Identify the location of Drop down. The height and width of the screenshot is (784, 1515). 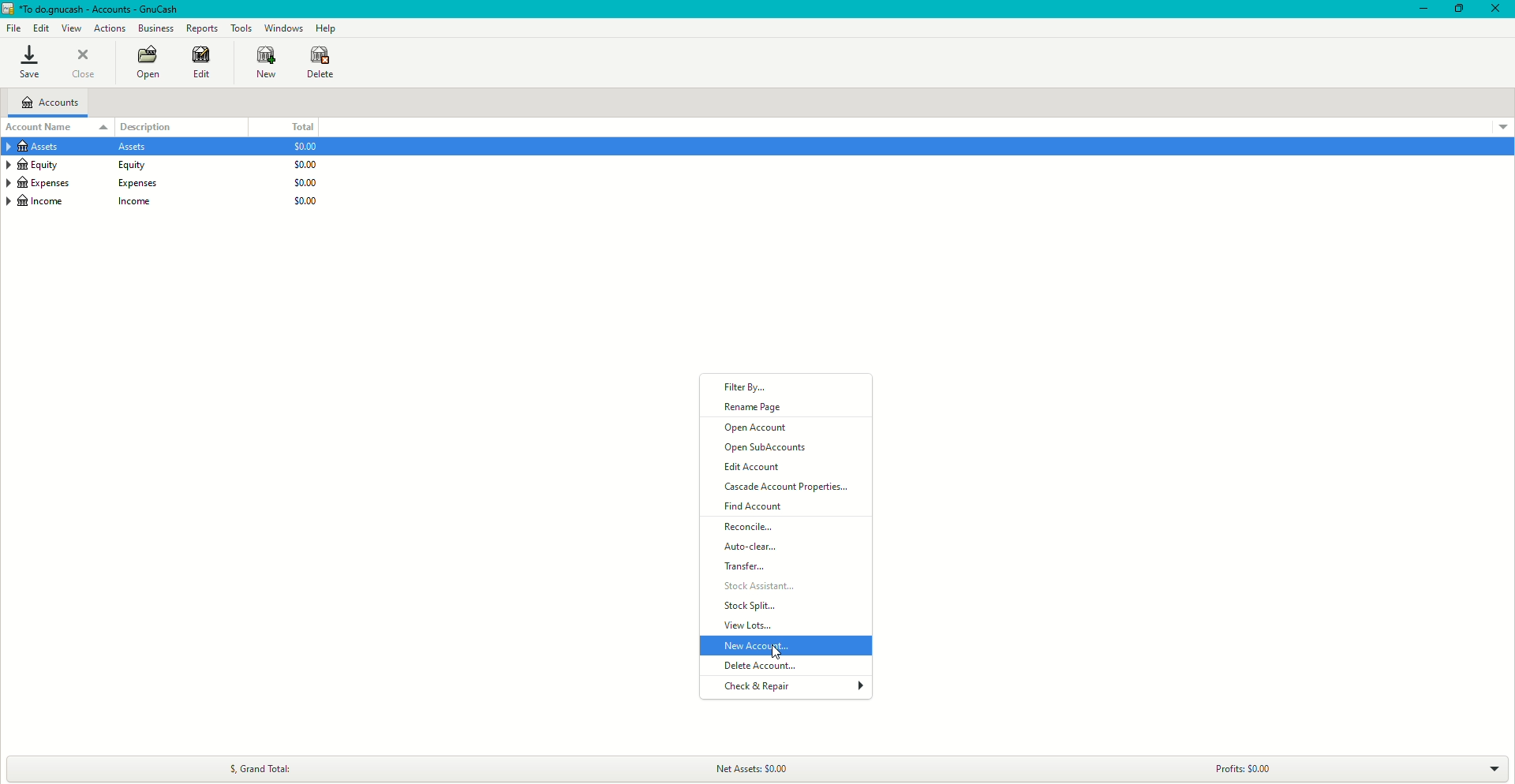
(1502, 125).